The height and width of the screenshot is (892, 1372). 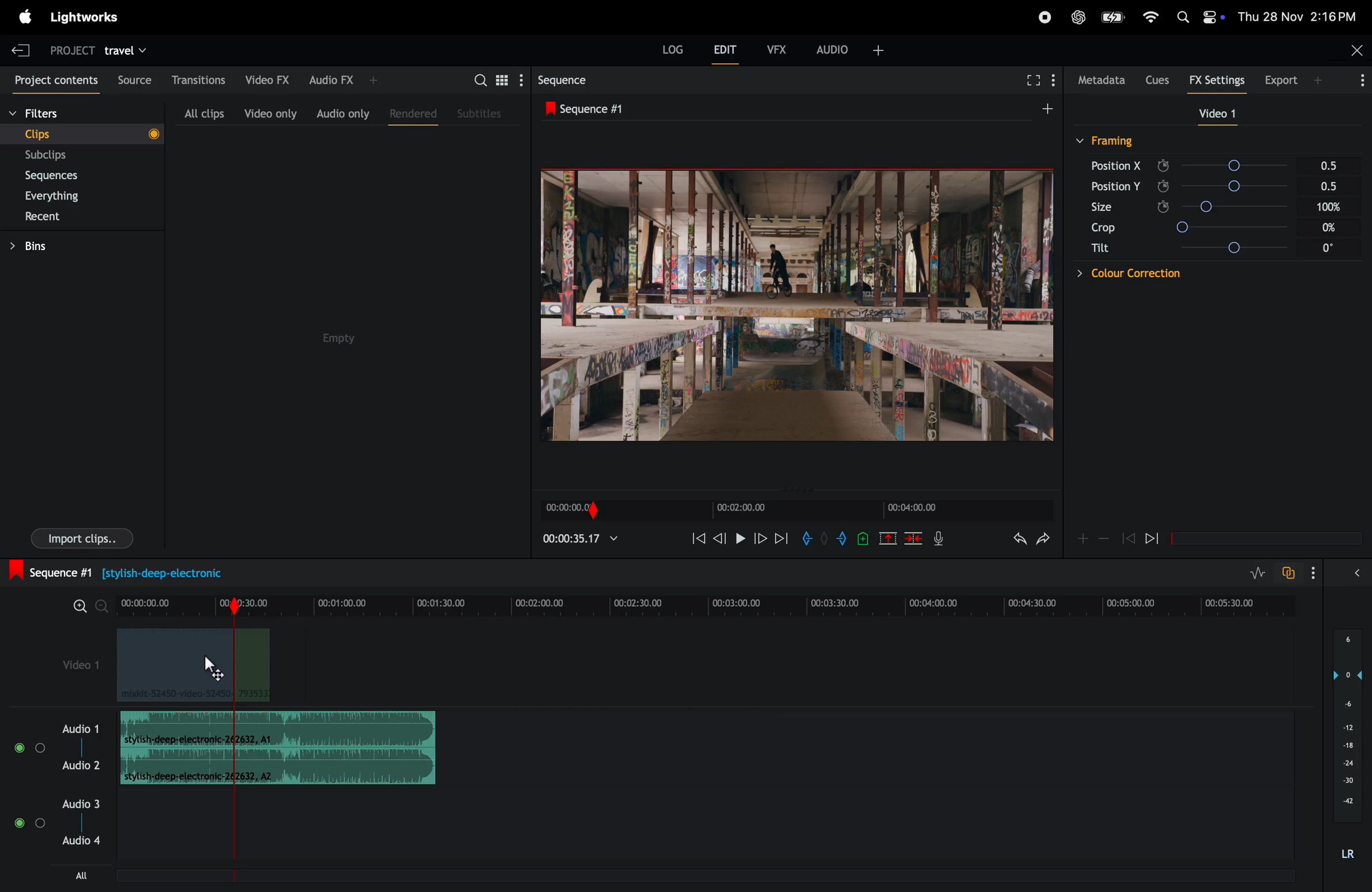 What do you see at coordinates (66, 50) in the screenshot?
I see `project` at bounding box center [66, 50].